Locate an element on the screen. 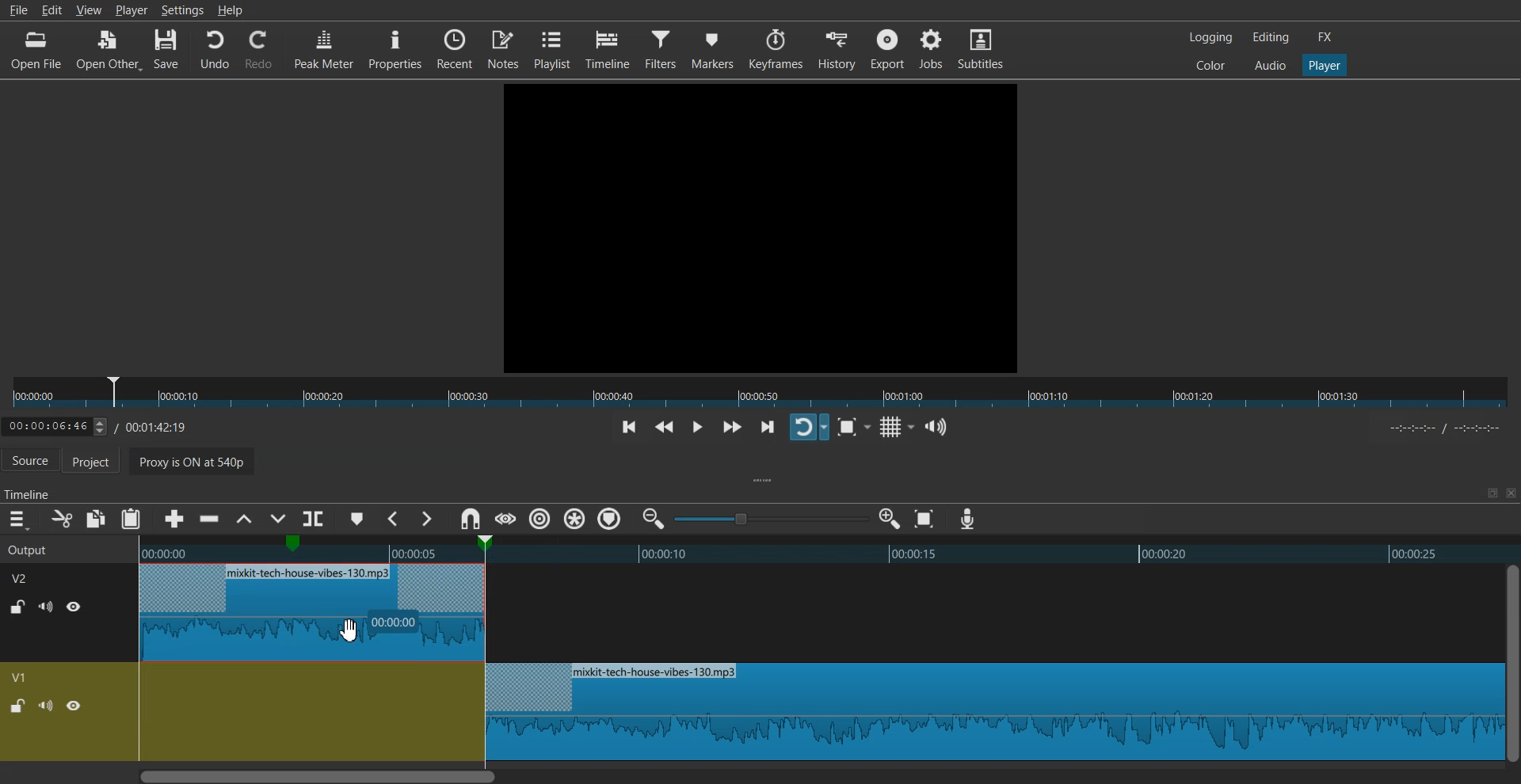 The height and width of the screenshot is (784, 1521). Playlist is located at coordinates (552, 48).